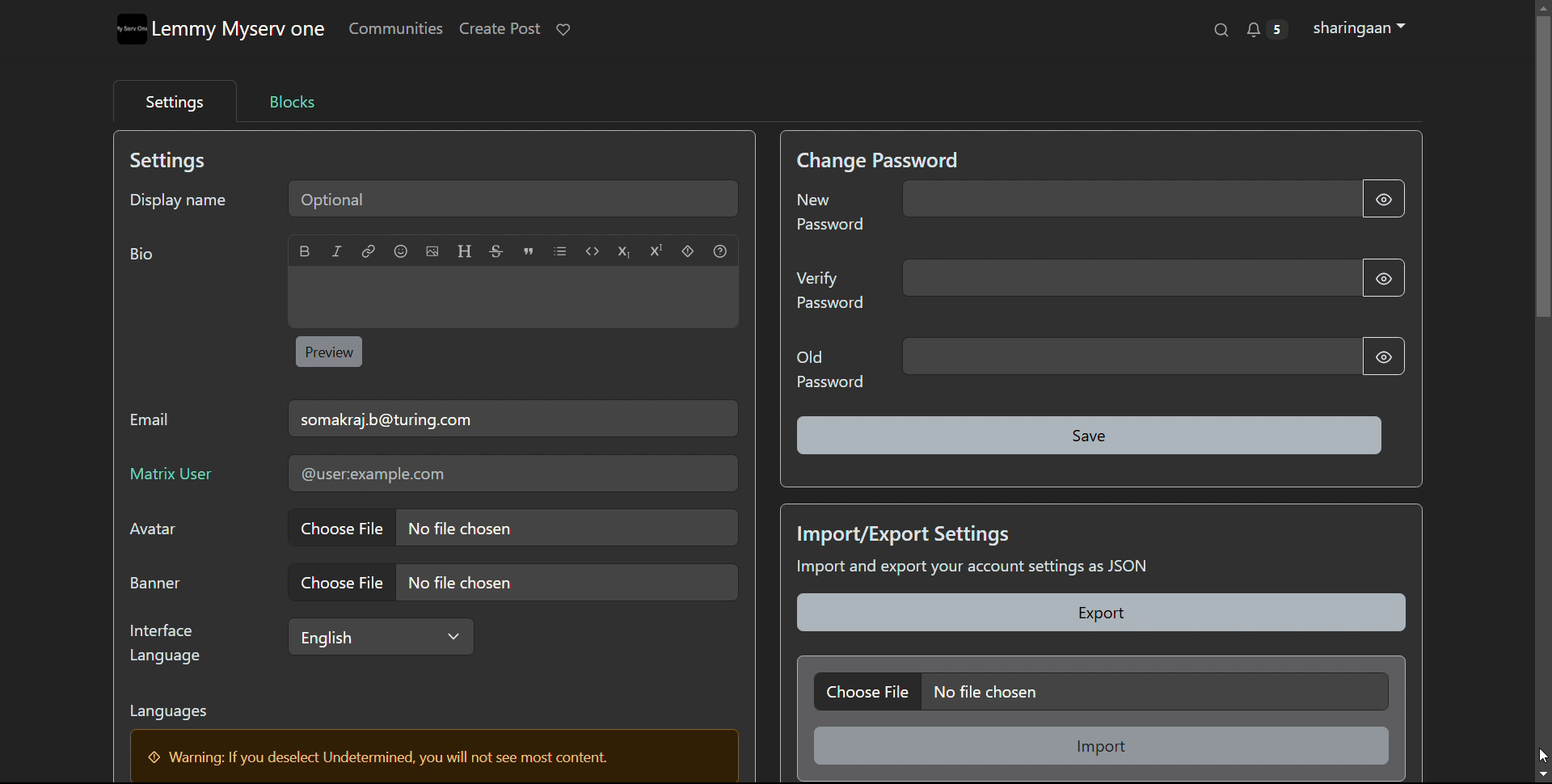 The image size is (1552, 784). What do you see at coordinates (152, 422) in the screenshot?
I see `Email` at bounding box center [152, 422].